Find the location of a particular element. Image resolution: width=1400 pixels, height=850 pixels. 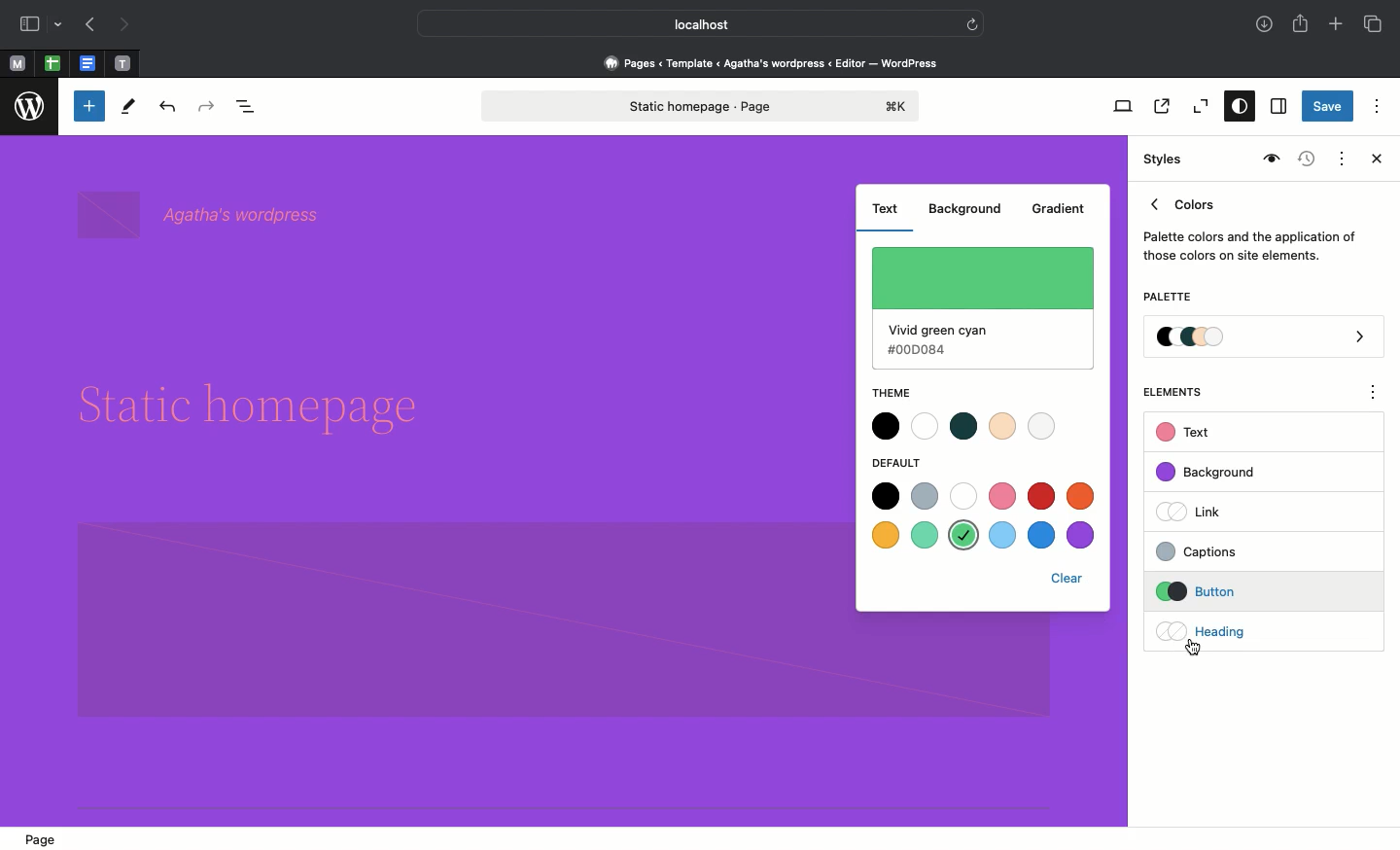

Pinned tab is located at coordinates (123, 64).